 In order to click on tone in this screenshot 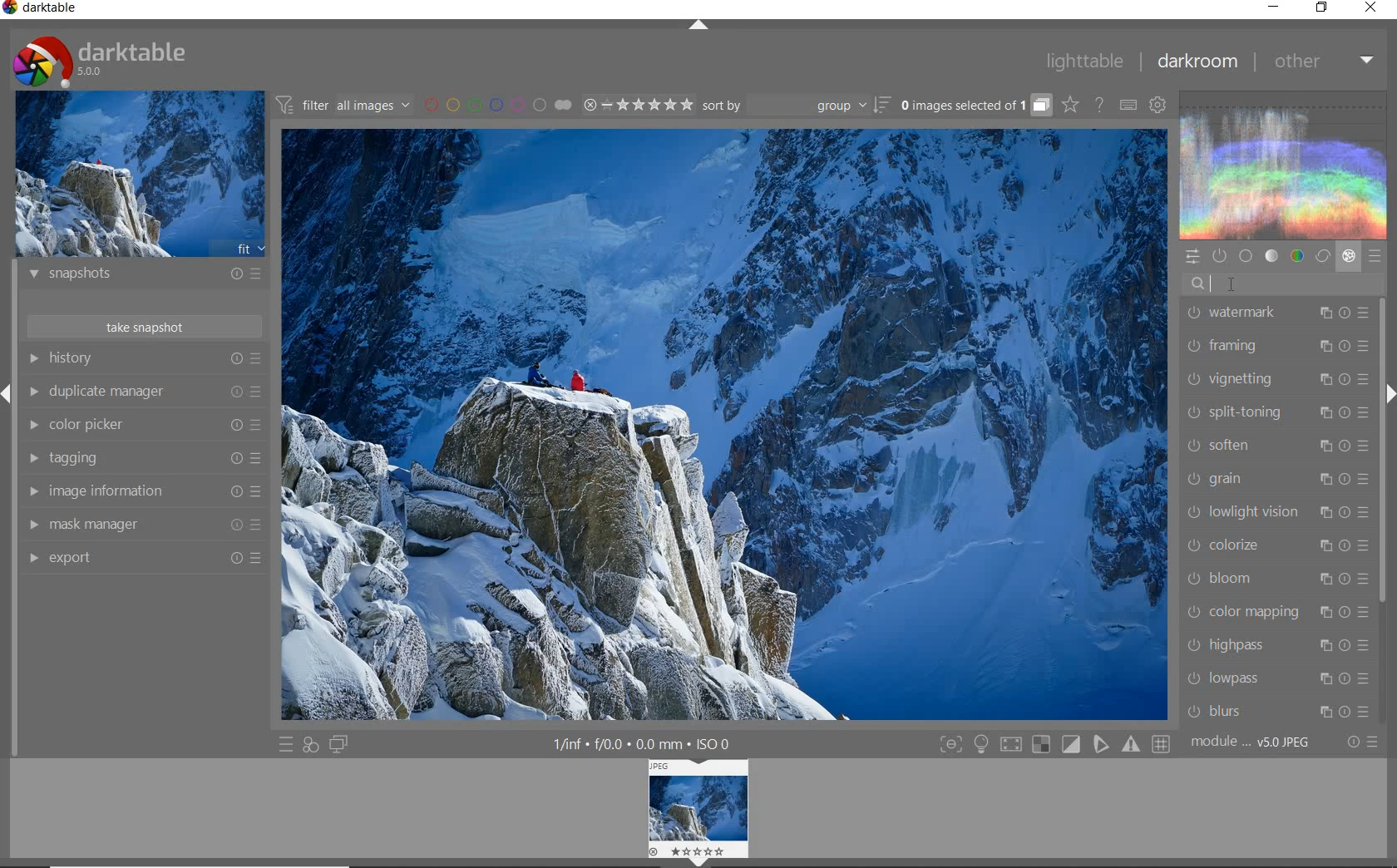, I will do `click(1271, 255)`.